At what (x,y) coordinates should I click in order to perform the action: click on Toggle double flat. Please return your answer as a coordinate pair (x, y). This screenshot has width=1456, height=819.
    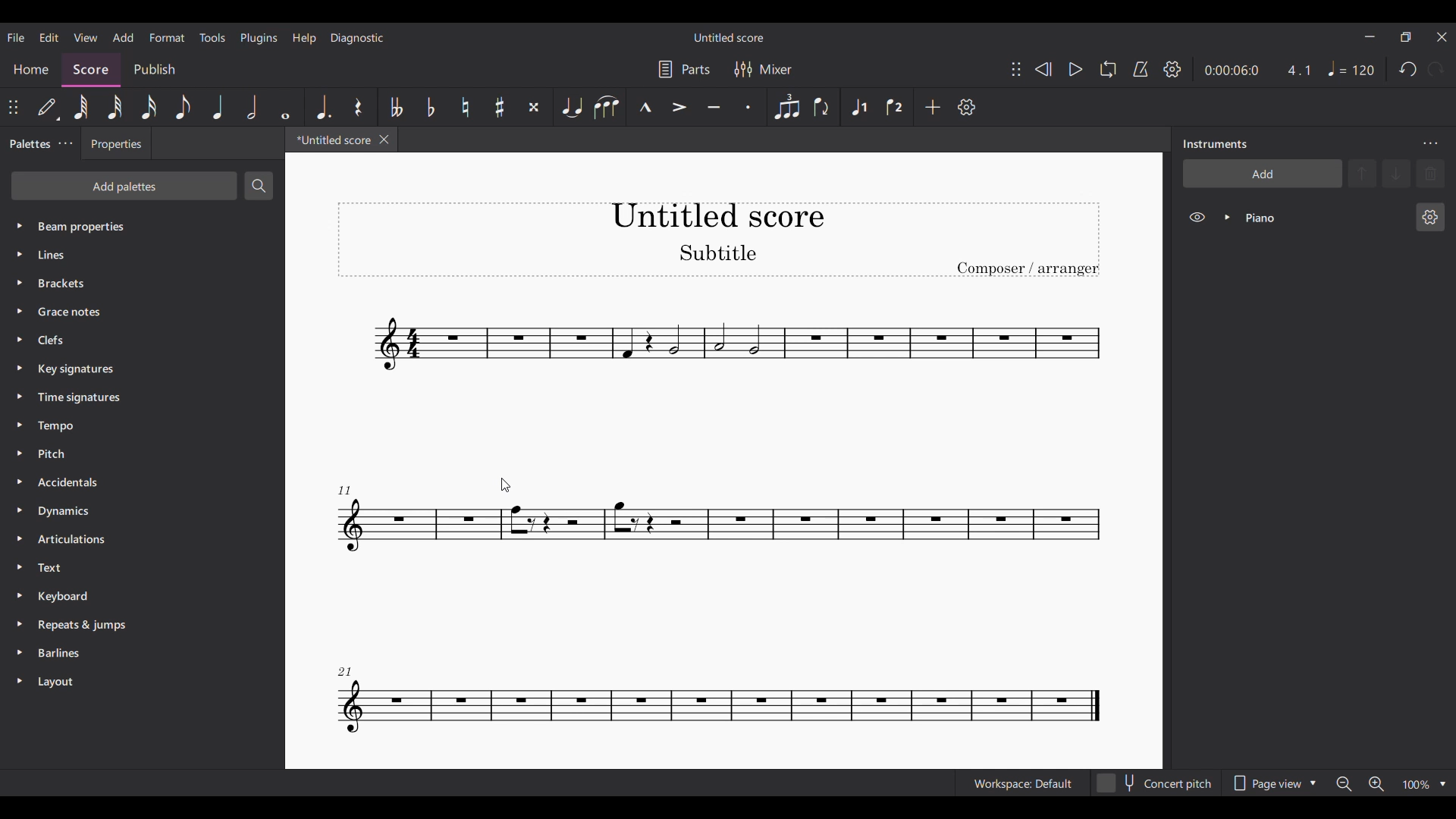
    Looking at the image, I should click on (396, 107).